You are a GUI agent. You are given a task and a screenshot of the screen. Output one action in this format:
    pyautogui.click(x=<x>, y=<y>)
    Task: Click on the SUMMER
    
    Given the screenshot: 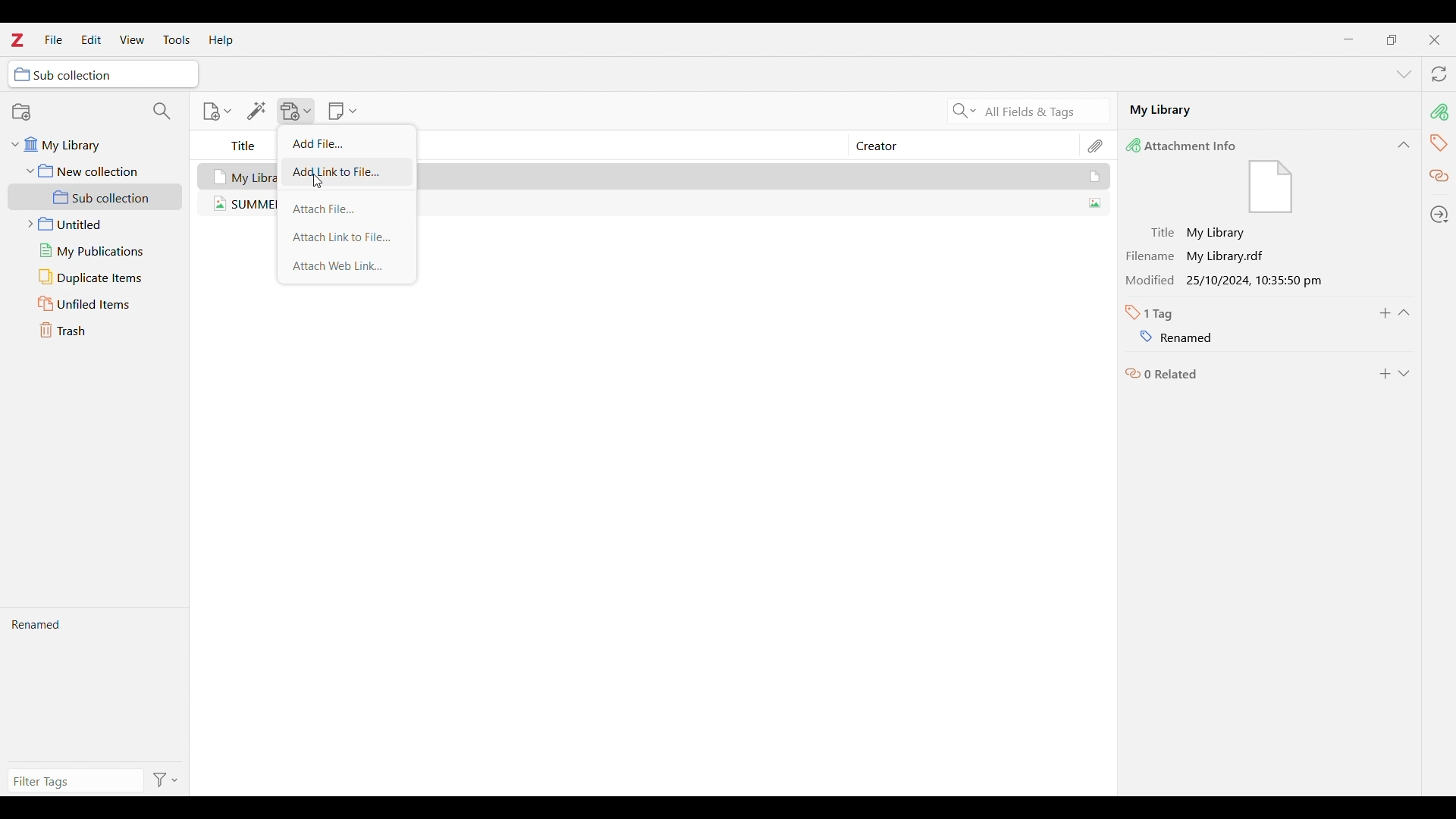 What is the action you would take?
    pyautogui.click(x=763, y=204)
    